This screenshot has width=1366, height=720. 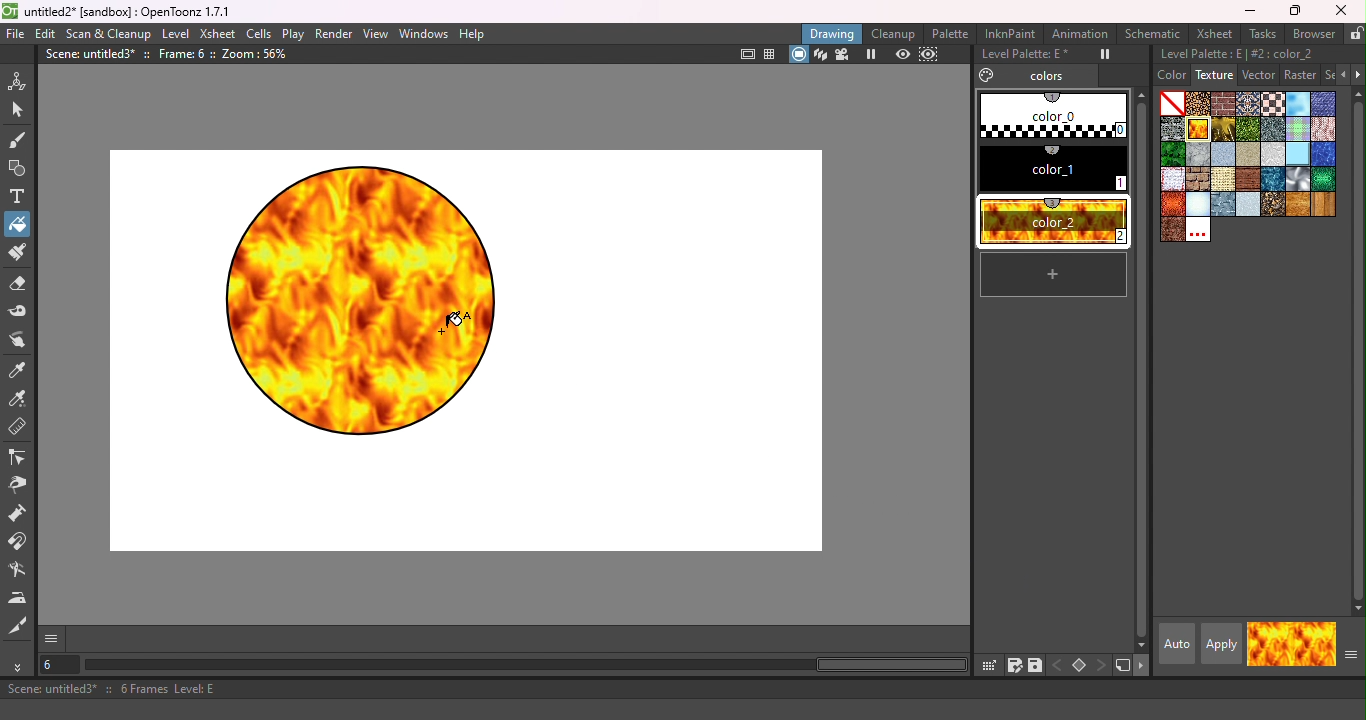 I want to click on Help, so click(x=472, y=34).